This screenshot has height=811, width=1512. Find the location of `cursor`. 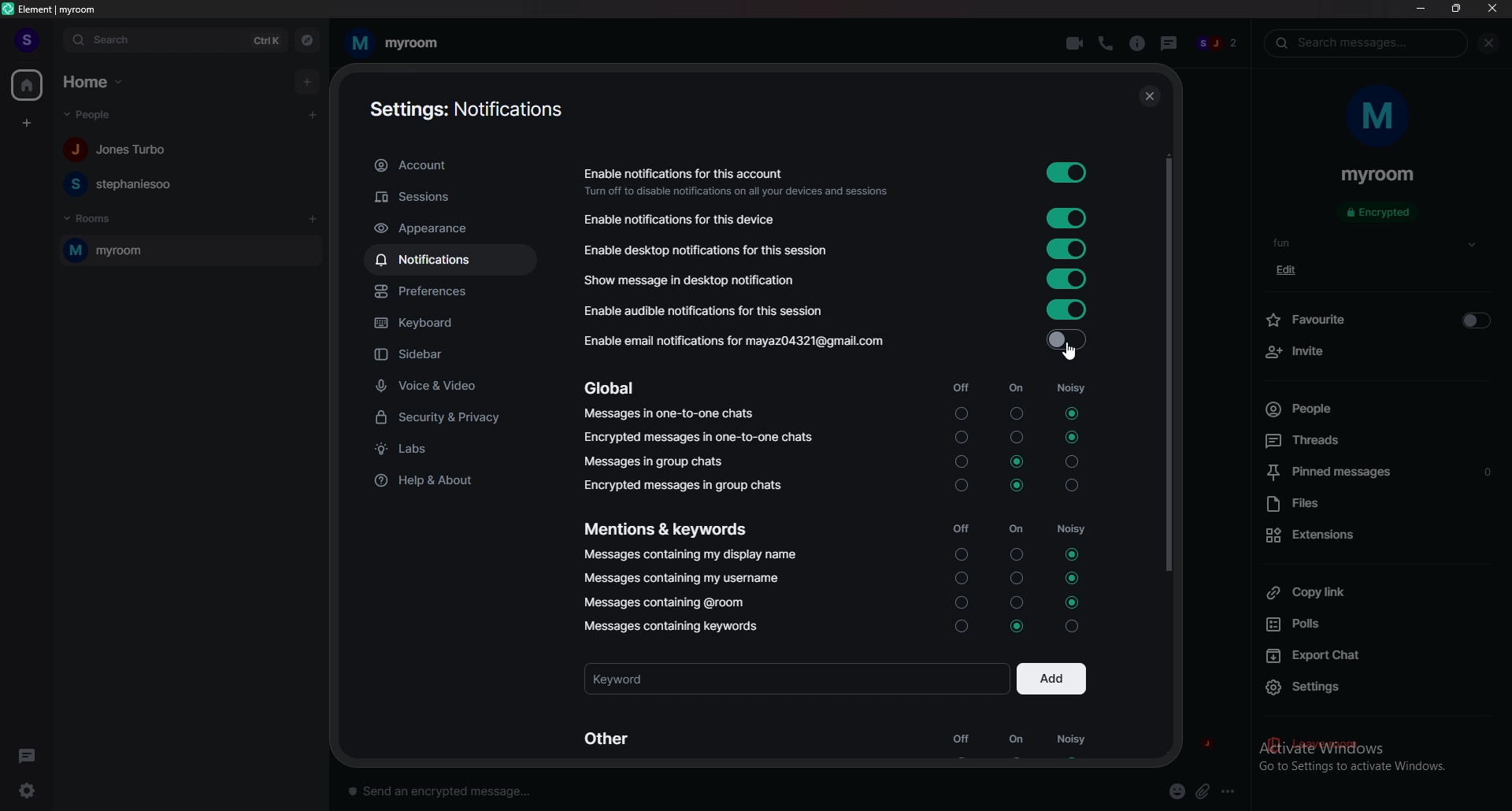

cursor is located at coordinates (1069, 352).